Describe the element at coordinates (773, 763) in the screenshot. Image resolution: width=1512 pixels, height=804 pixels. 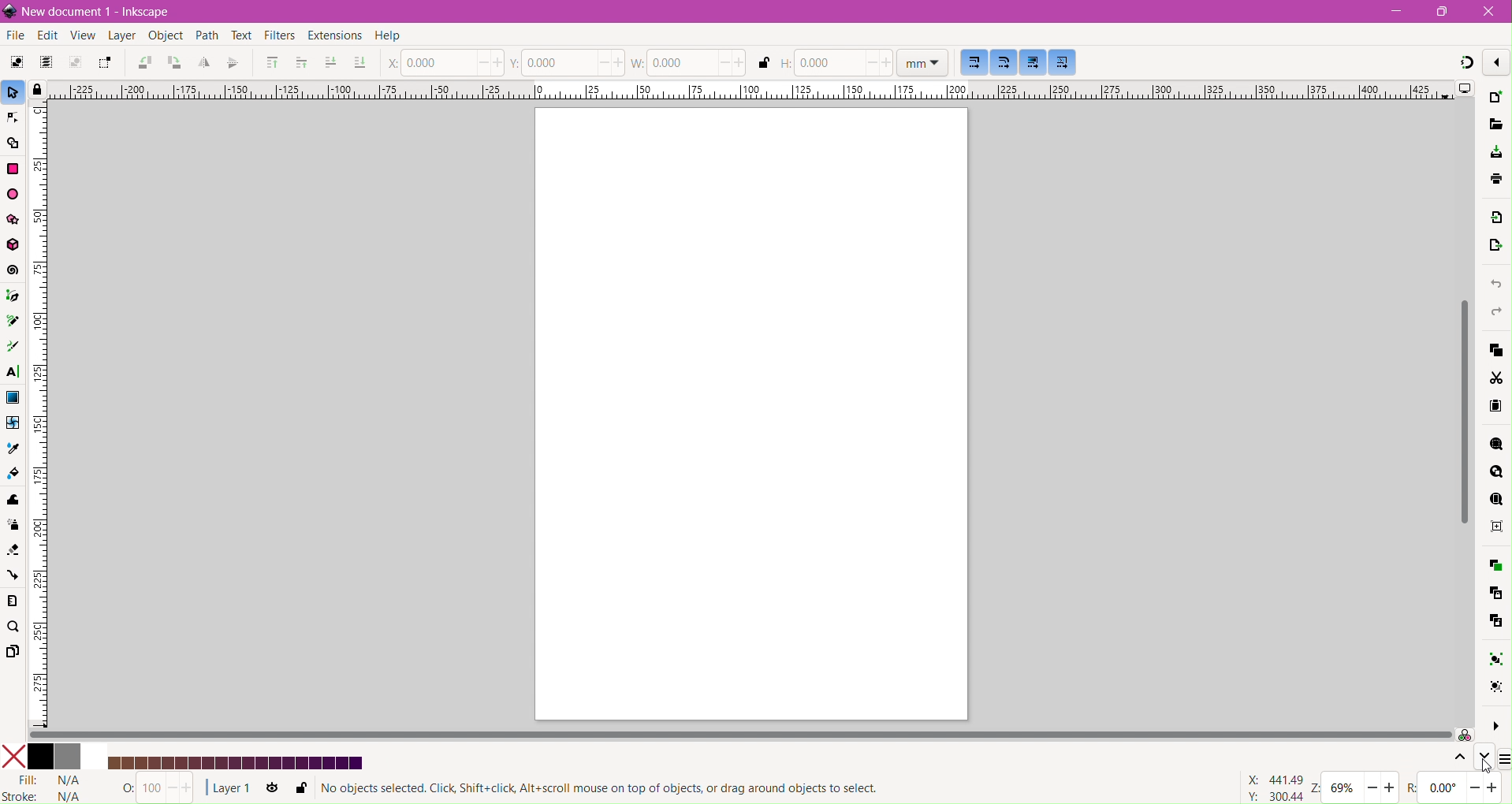
I see `Updated Color Palette - Shades of Royal` at that location.